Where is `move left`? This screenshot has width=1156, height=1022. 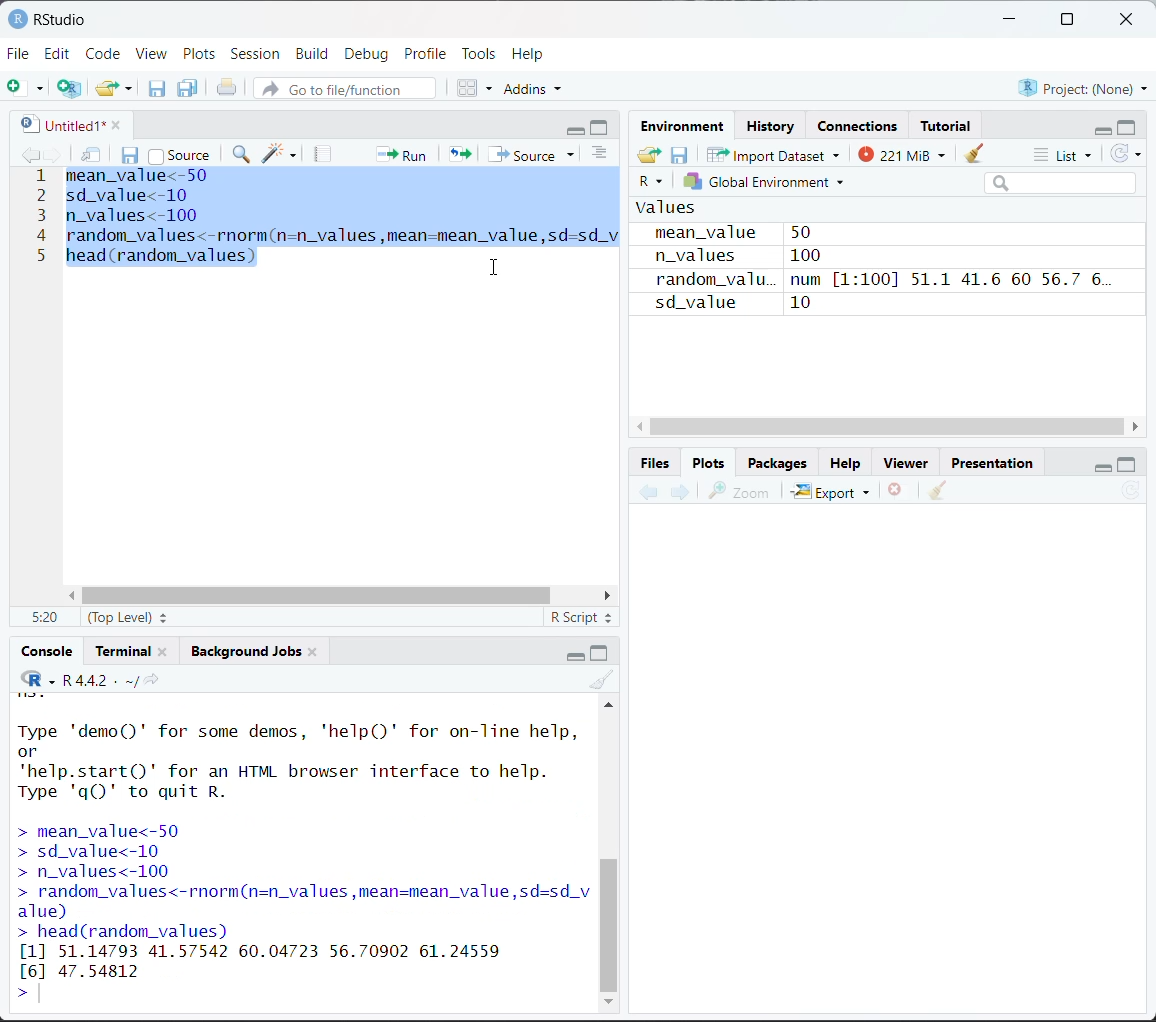 move left is located at coordinates (76, 596).